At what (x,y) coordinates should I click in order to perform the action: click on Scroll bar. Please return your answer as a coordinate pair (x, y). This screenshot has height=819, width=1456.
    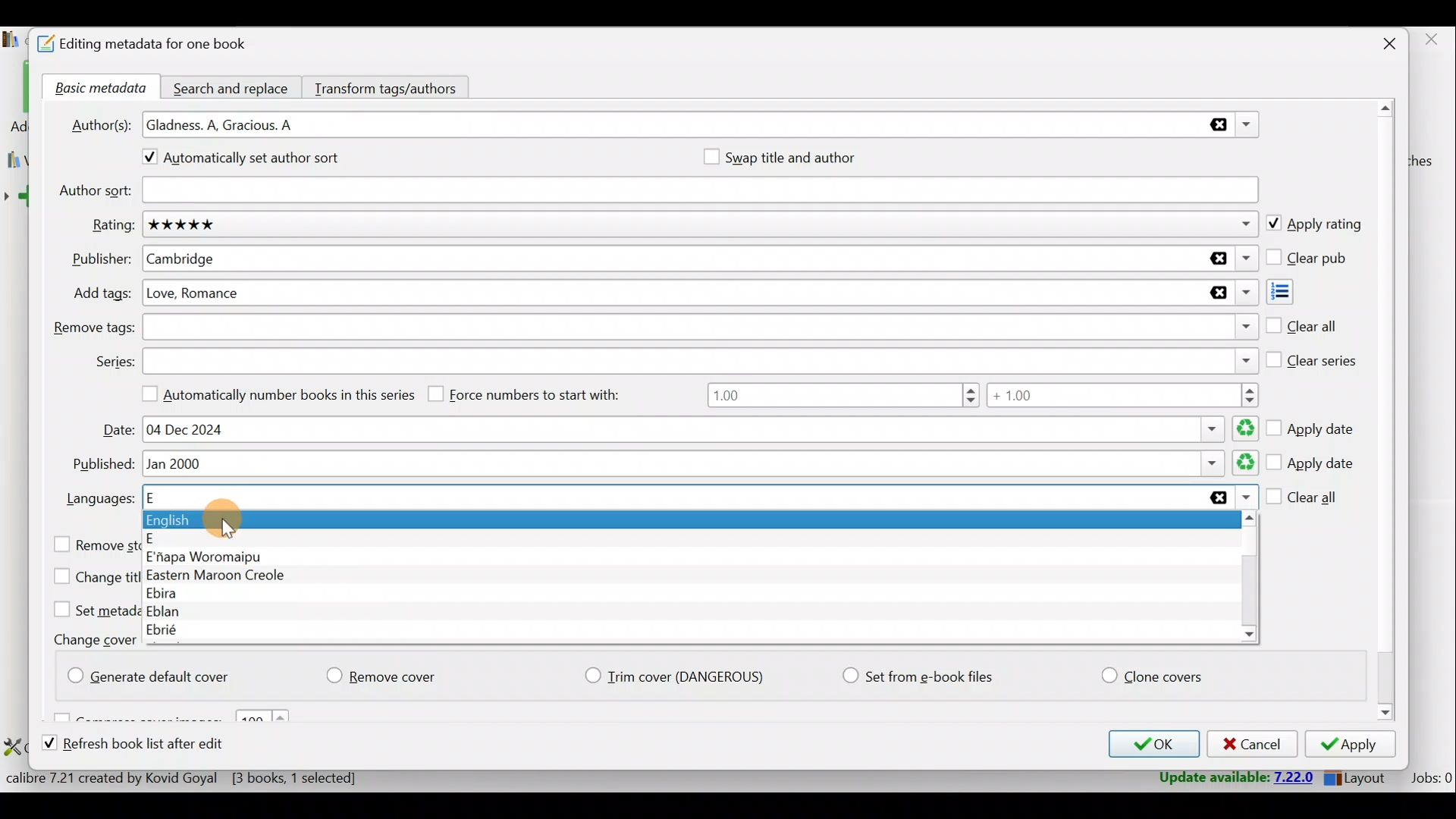
    Looking at the image, I should click on (1387, 413).